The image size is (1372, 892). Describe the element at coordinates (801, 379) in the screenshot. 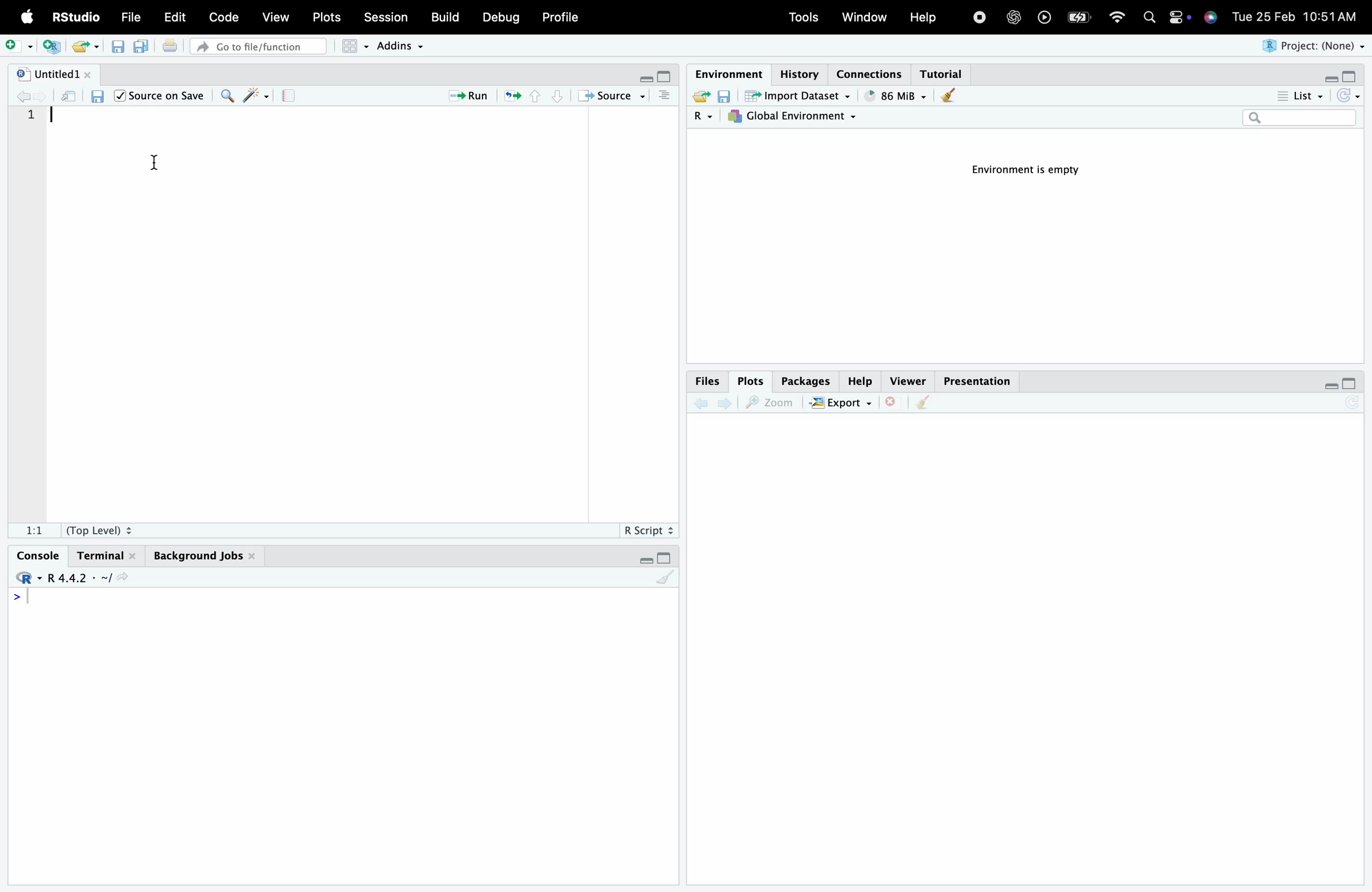

I see `Packages` at that location.